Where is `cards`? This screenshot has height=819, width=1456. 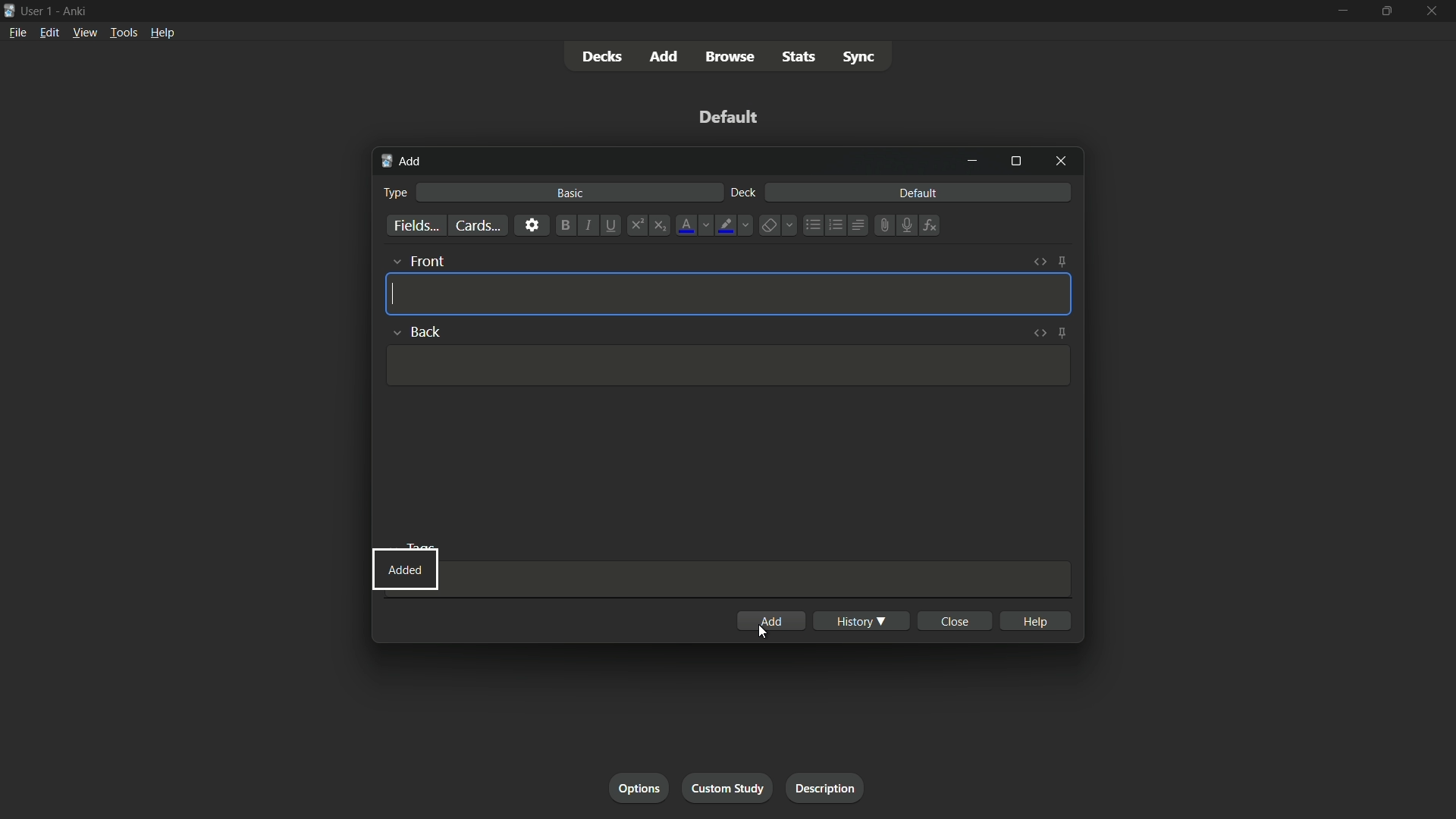
cards is located at coordinates (475, 225).